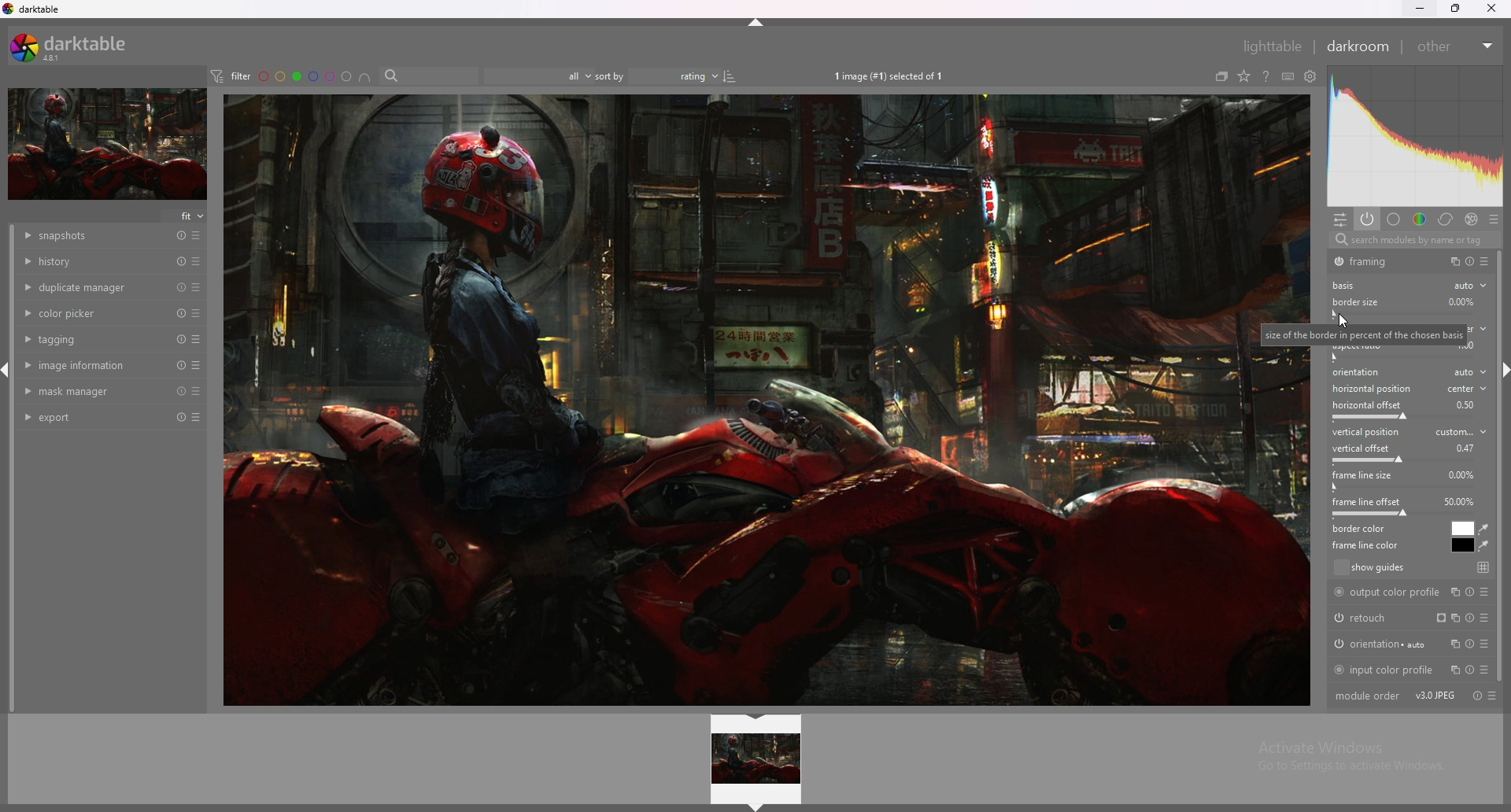 The height and width of the screenshot is (812, 1511). I want to click on fit, so click(186, 216).